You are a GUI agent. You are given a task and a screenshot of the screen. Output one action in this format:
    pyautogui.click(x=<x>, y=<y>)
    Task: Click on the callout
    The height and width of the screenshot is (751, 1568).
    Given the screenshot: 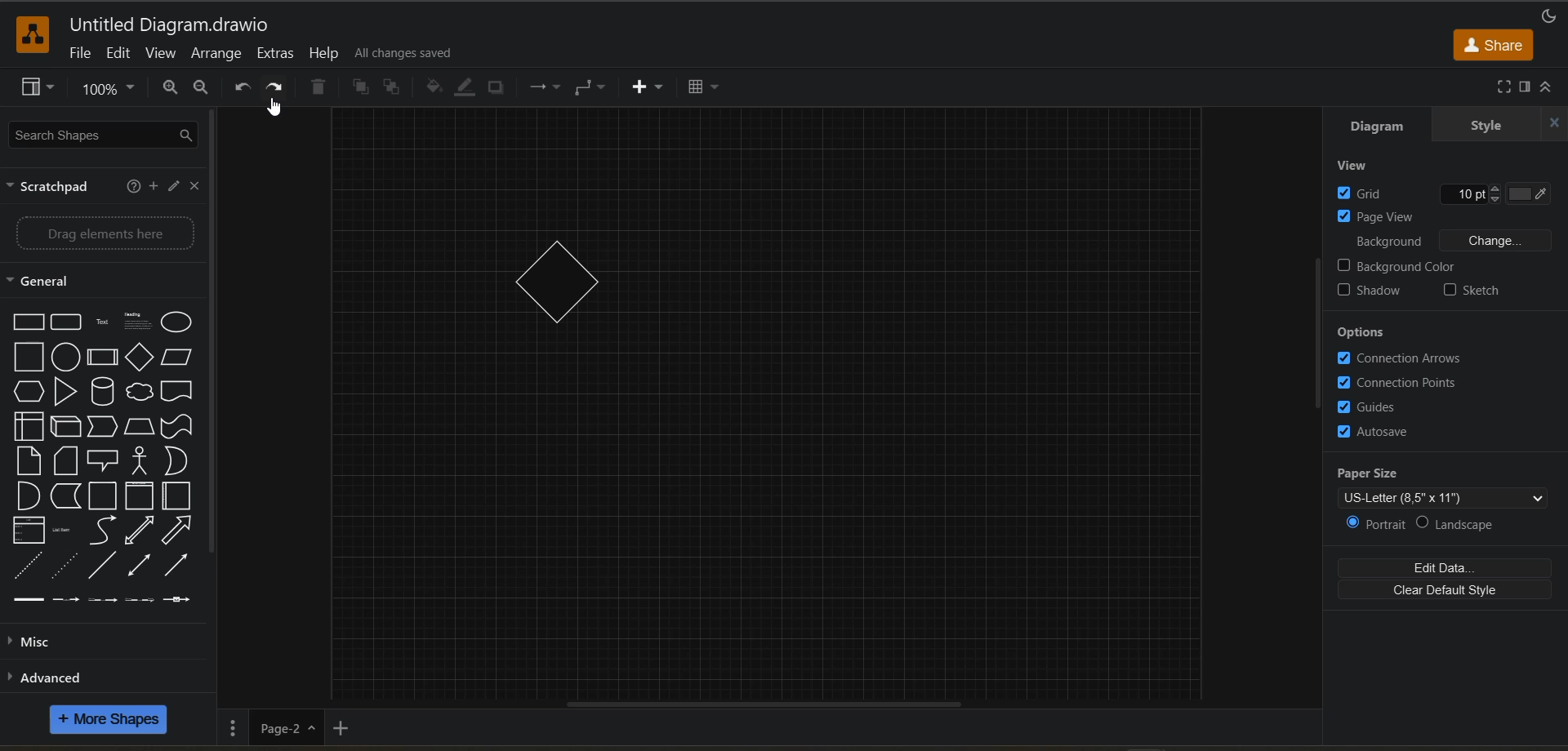 What is the action you would take?
    pyautogui.click(x=102, y=461)
    